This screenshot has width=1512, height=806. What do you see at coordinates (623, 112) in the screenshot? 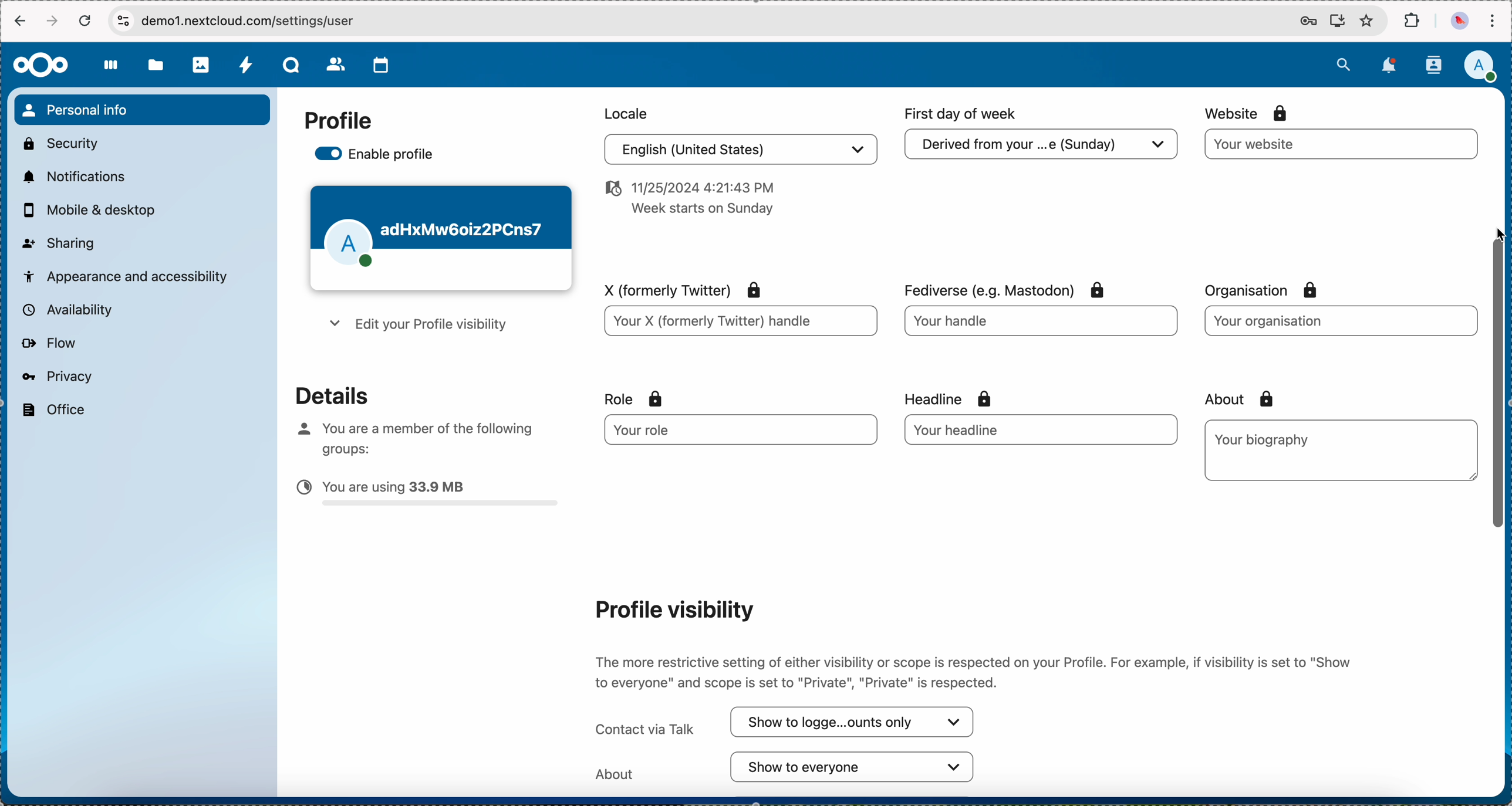
I see `locale` at bounding box center [623, 112].